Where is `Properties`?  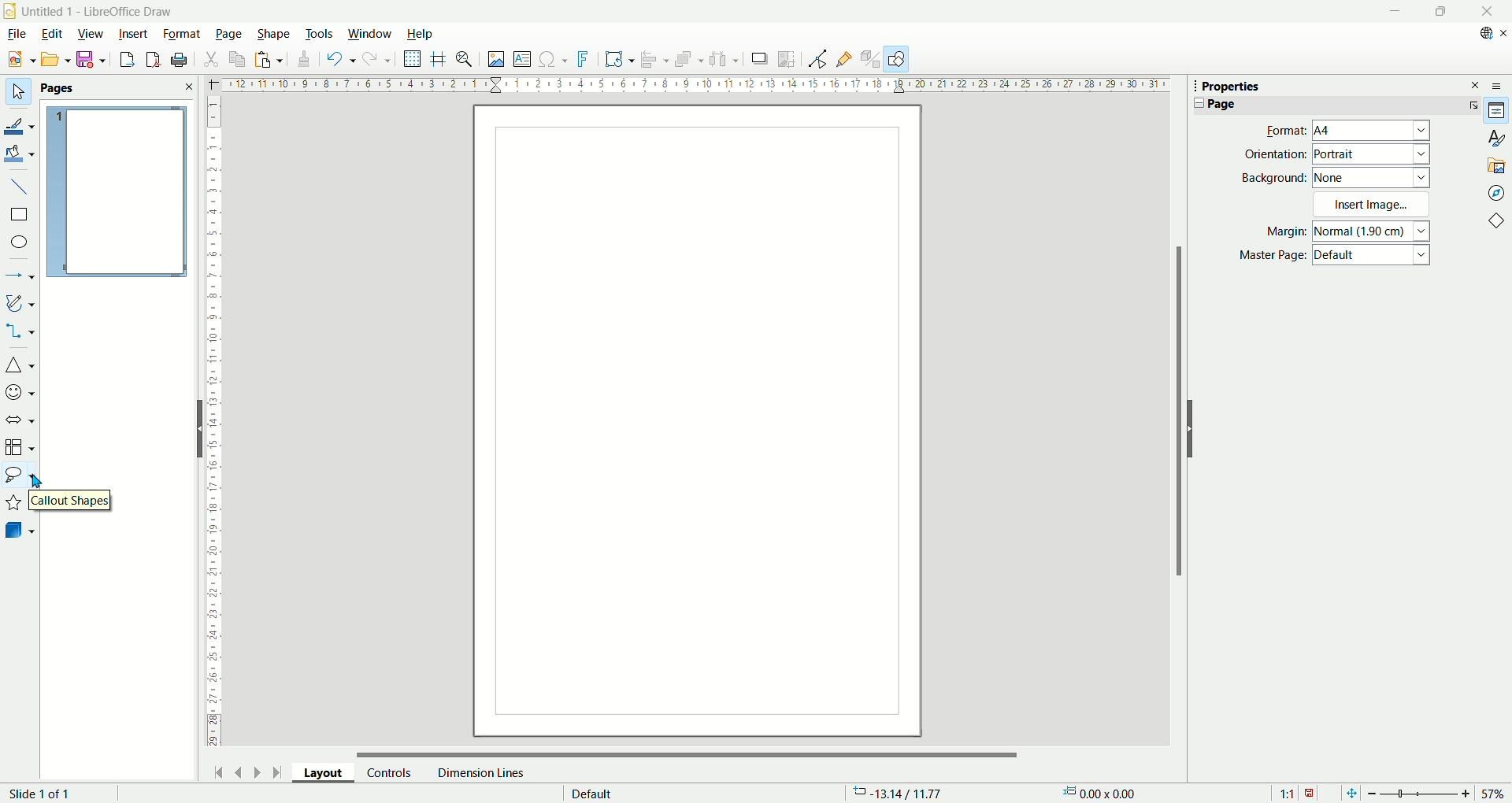 Properties is located at coordinates (1231, 87).